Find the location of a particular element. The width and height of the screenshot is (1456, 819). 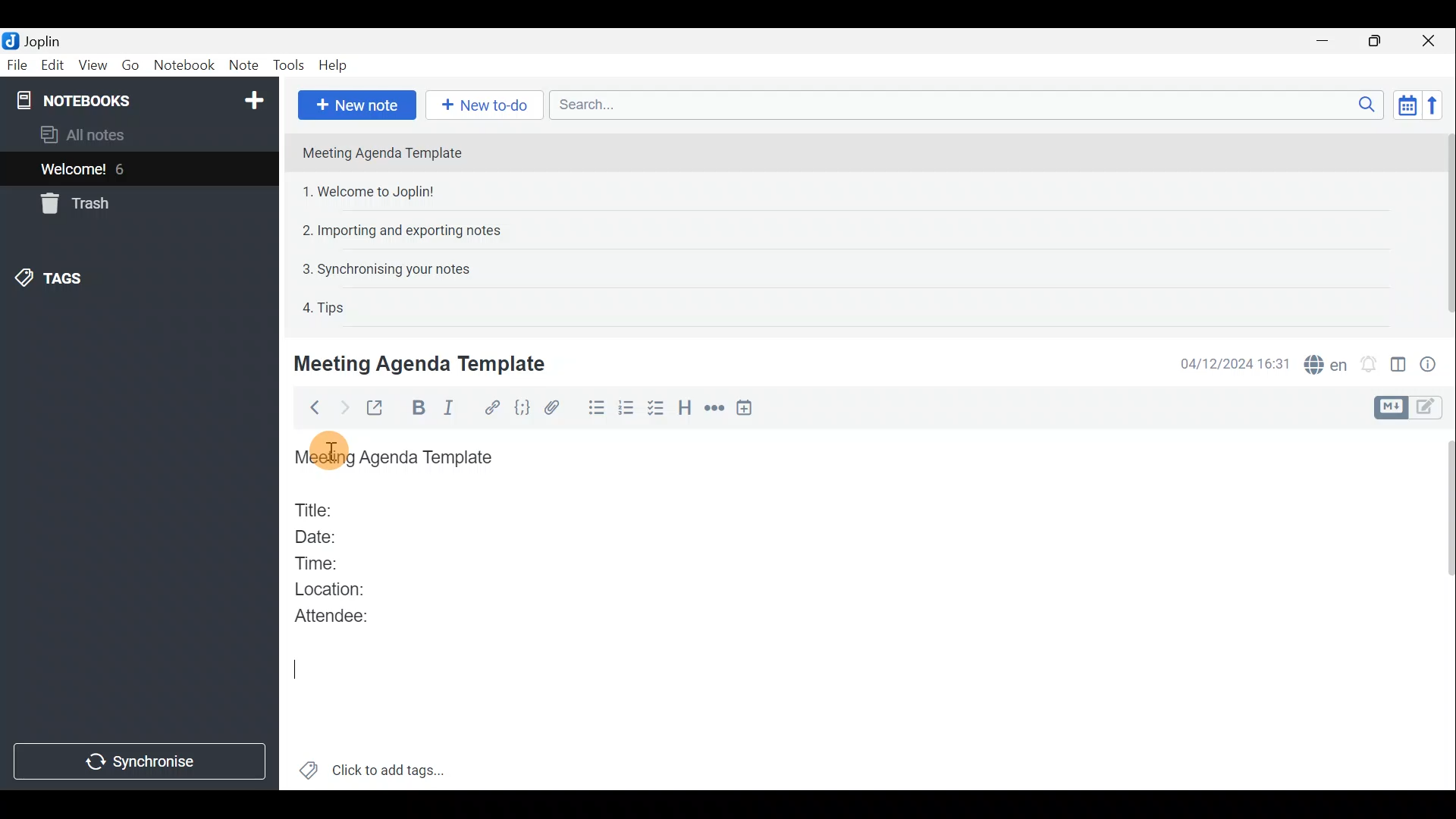

Back is located at coordinates (310, 410).